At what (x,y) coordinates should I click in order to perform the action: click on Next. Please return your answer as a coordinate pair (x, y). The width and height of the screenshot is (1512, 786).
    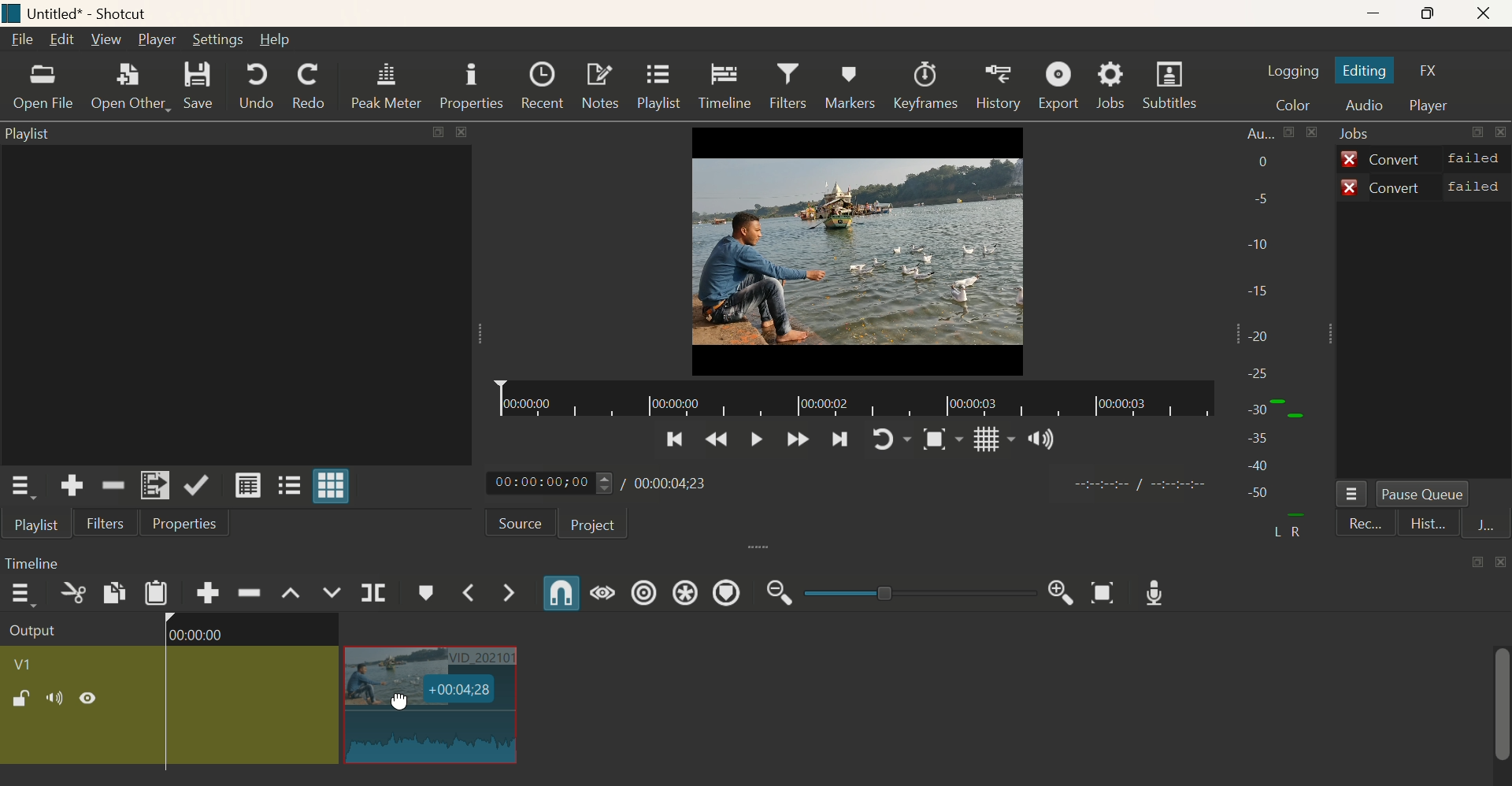
    Looking at the image, I should click on (843, 441).